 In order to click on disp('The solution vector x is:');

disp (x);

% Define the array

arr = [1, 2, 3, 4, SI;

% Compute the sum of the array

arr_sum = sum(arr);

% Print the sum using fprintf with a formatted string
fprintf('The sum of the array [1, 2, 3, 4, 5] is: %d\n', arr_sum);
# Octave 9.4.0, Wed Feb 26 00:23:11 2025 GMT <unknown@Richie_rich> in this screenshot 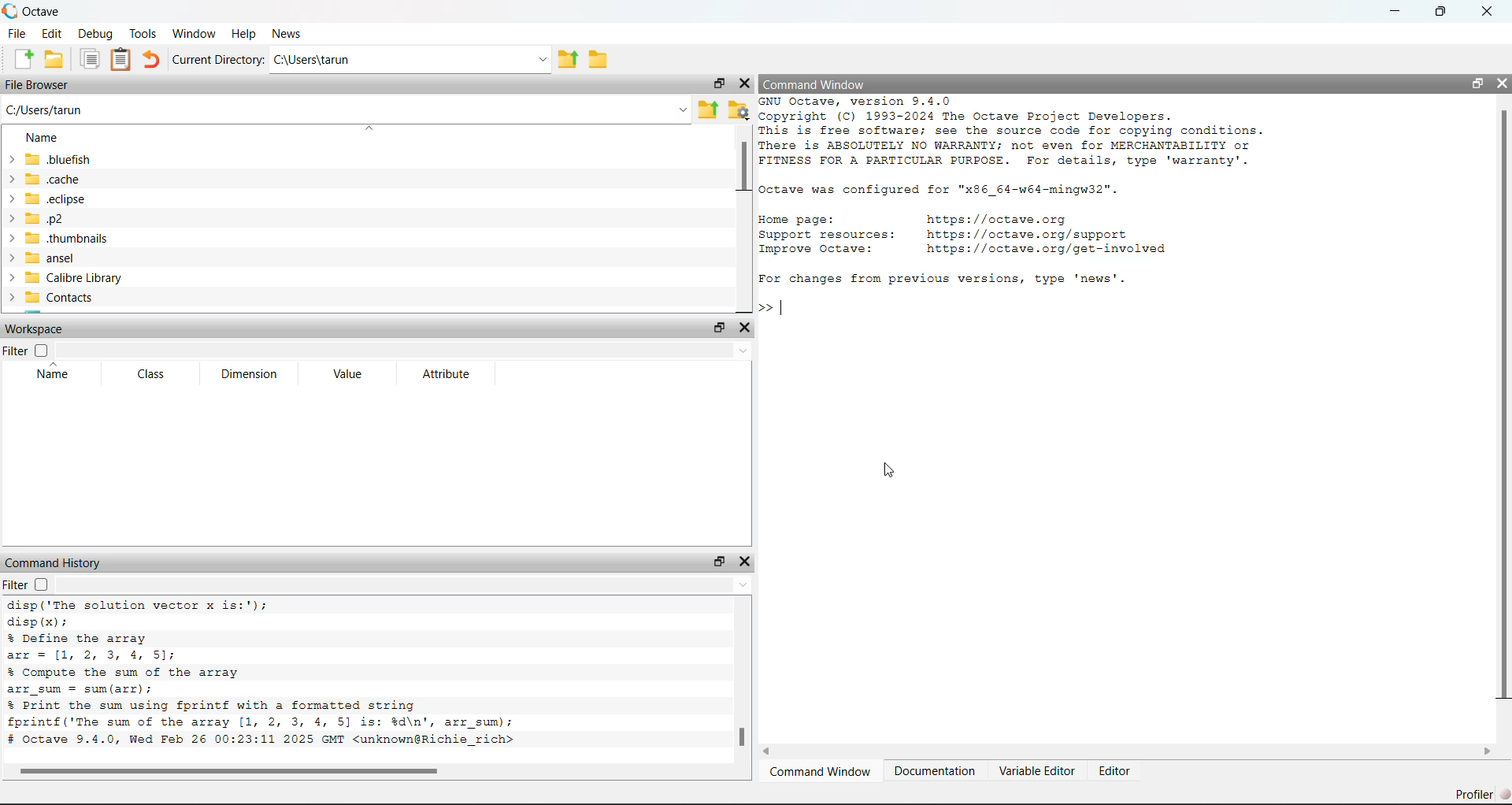, I will do `click(291, 676)`.